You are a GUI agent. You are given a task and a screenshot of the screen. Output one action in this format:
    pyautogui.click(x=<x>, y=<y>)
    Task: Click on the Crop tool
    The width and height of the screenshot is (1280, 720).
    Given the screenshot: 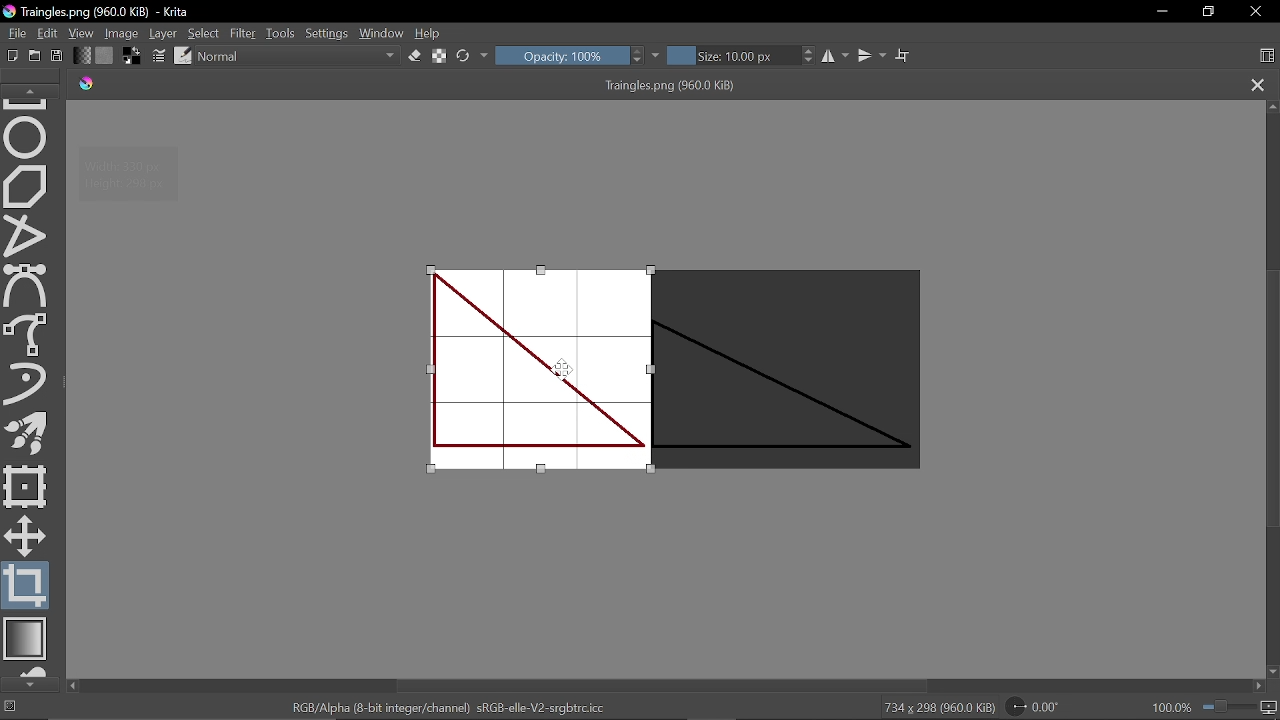 What is the action you would take?
    pyautogui.click(x=26, y=586)
    